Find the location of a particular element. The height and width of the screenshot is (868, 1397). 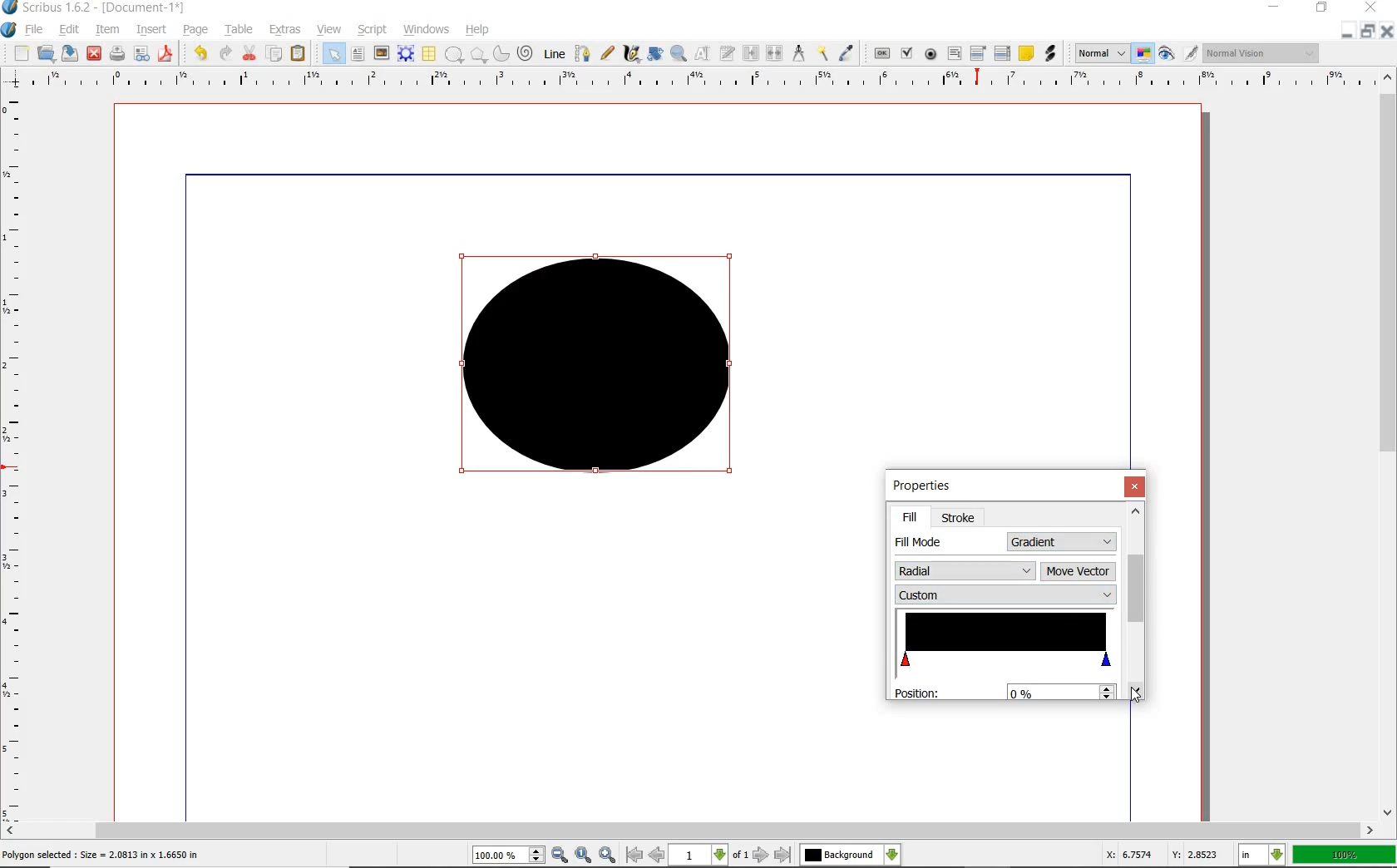

CLOSE is located at coordinates (1369, 7).